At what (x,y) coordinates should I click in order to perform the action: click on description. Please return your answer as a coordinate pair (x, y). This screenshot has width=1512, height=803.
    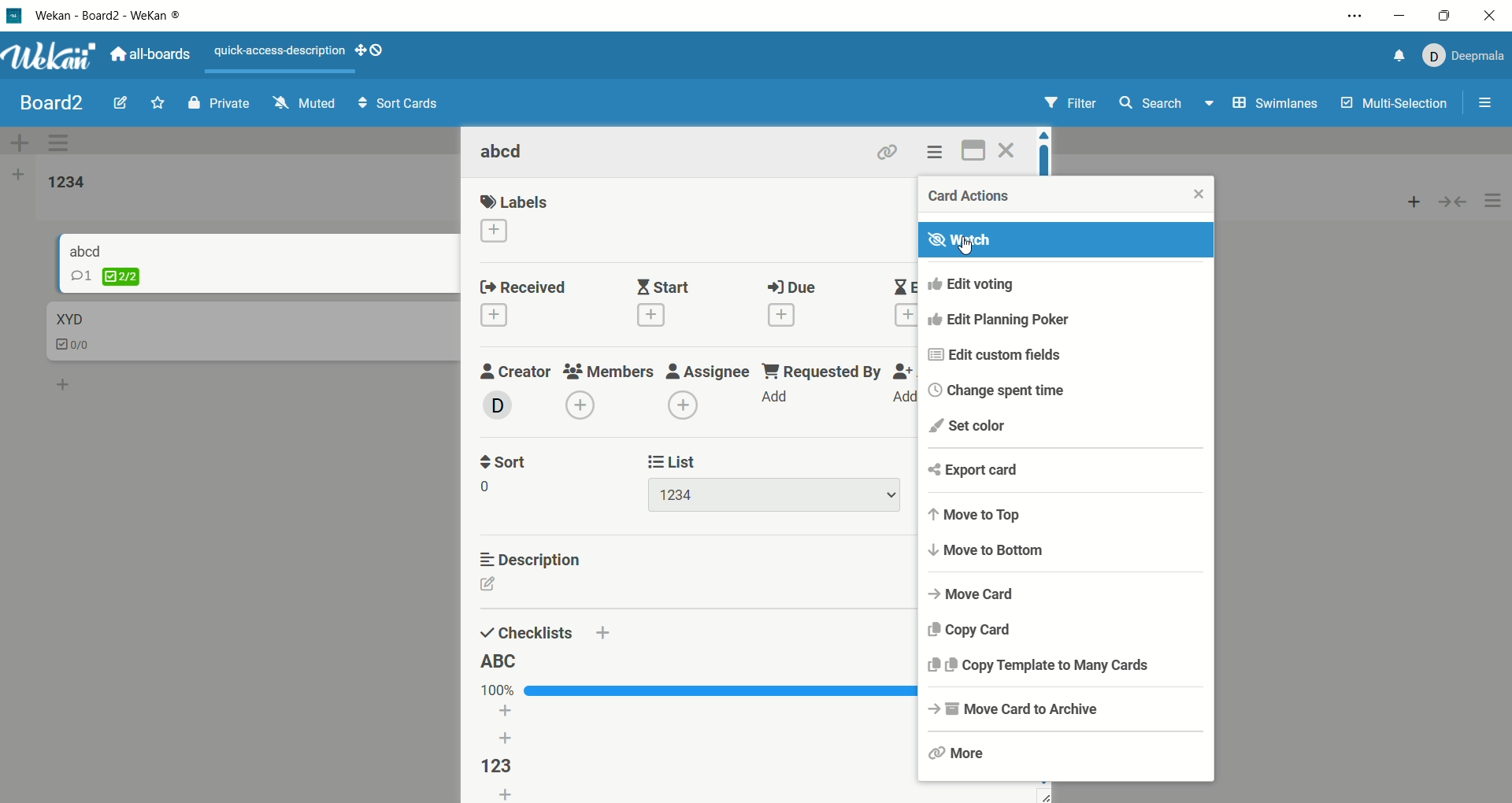
    Looking at the image, I should click on (533, 557).